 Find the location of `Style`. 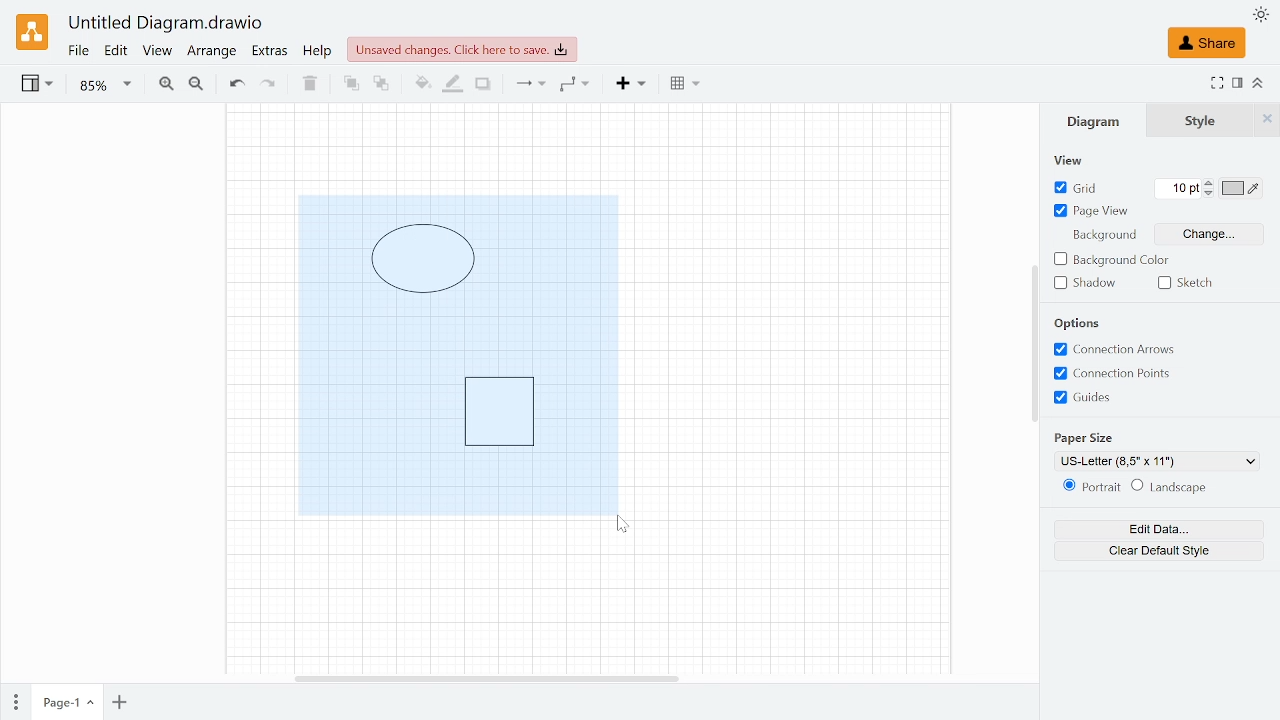

Style is located at coordinates (1267, 120).